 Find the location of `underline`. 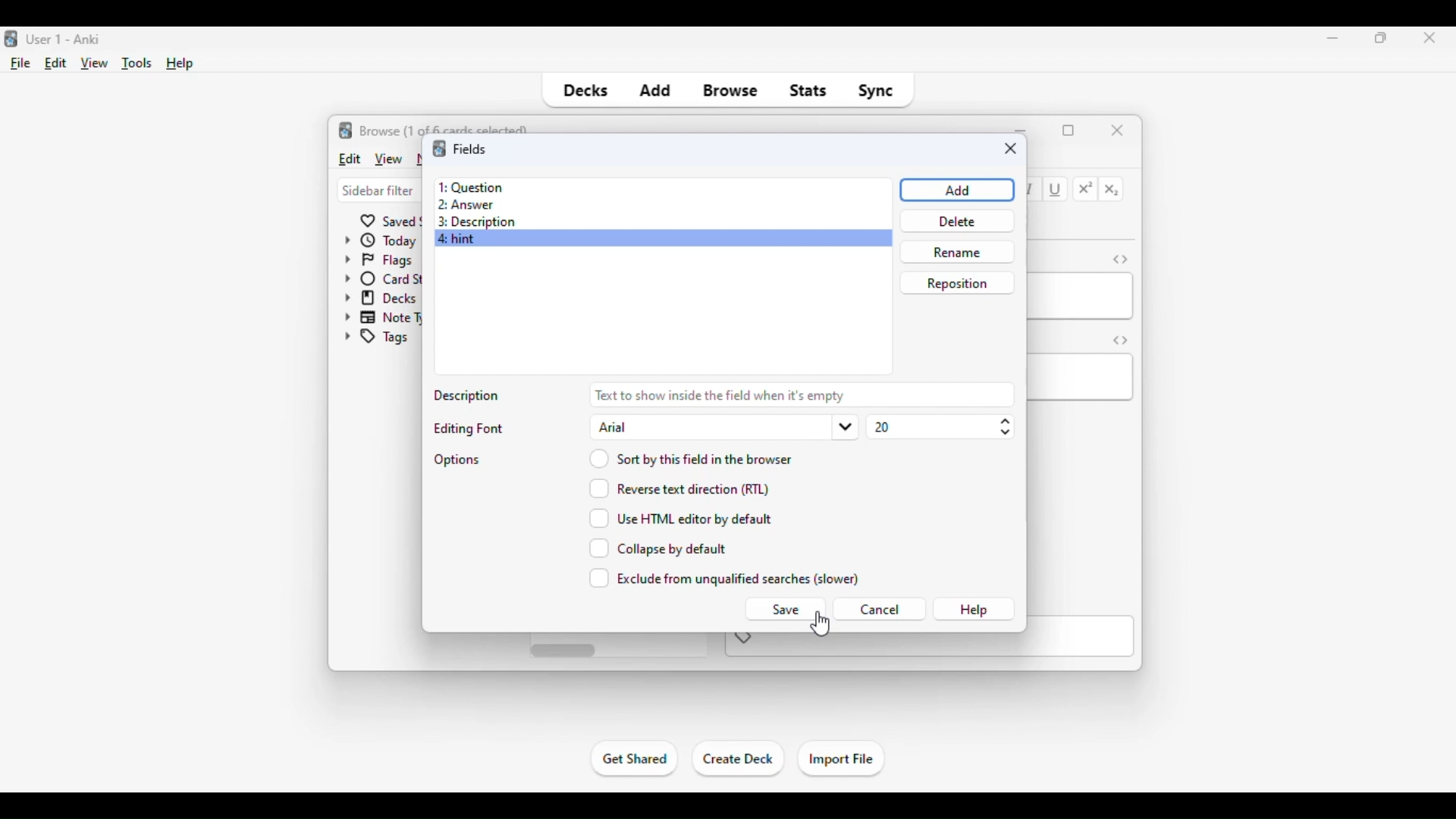

underline is located at coordinates (1056, 190).